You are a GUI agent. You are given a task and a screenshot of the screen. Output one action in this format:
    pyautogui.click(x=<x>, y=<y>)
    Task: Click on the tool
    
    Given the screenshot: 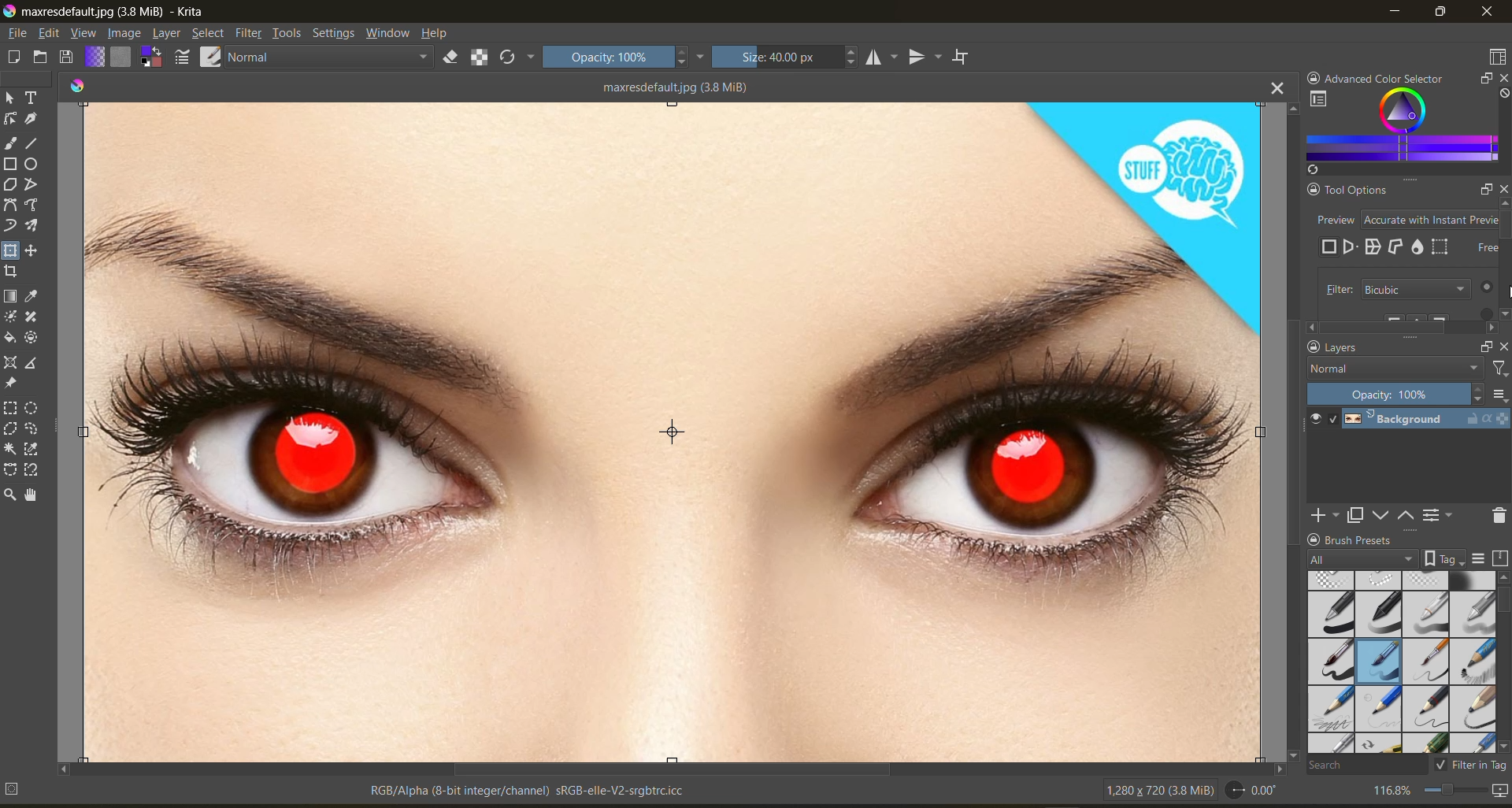 What is the action you would take?
    pyautogui.click(x=10, y=144)
    